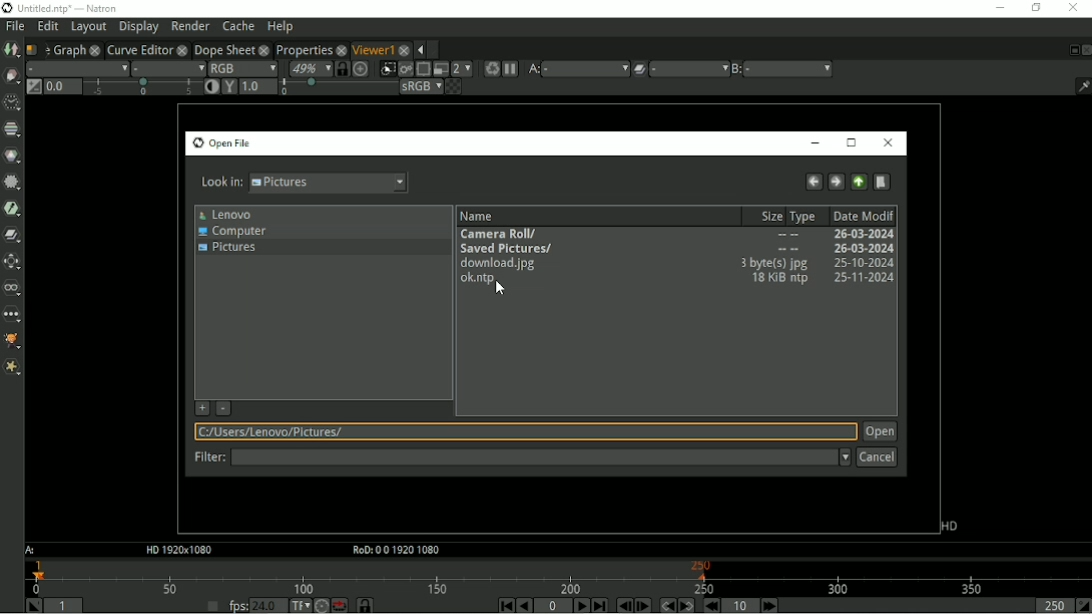 Image resolution: width=1092 pixels, height=614 pixels. What do you see at coordinates (264, 49) in the screenshot?
I see `close` at bounding box center [264, 49].